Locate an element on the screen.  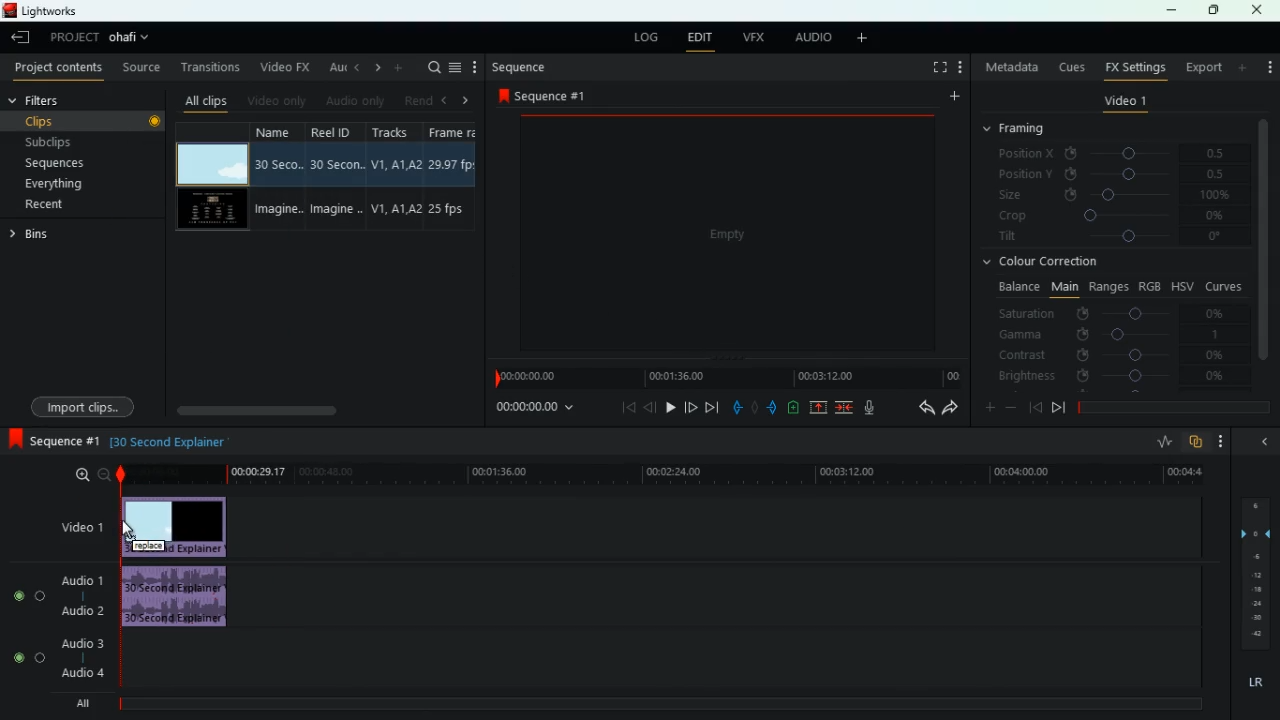
close is located at coordinates (1258, 10).